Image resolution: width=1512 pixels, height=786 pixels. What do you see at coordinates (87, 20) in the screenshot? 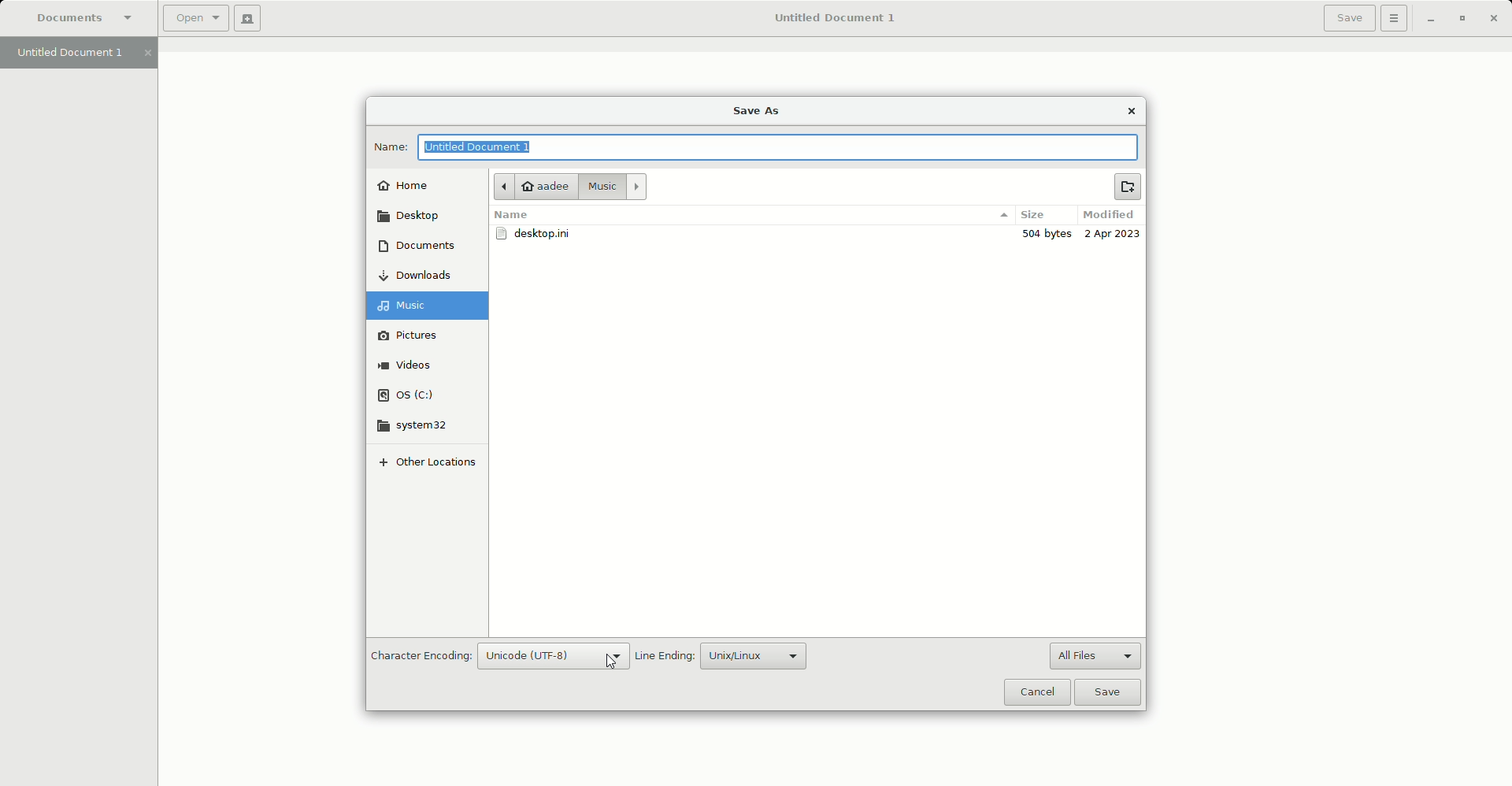
I see `Documents` at bounding box center [87, 20].